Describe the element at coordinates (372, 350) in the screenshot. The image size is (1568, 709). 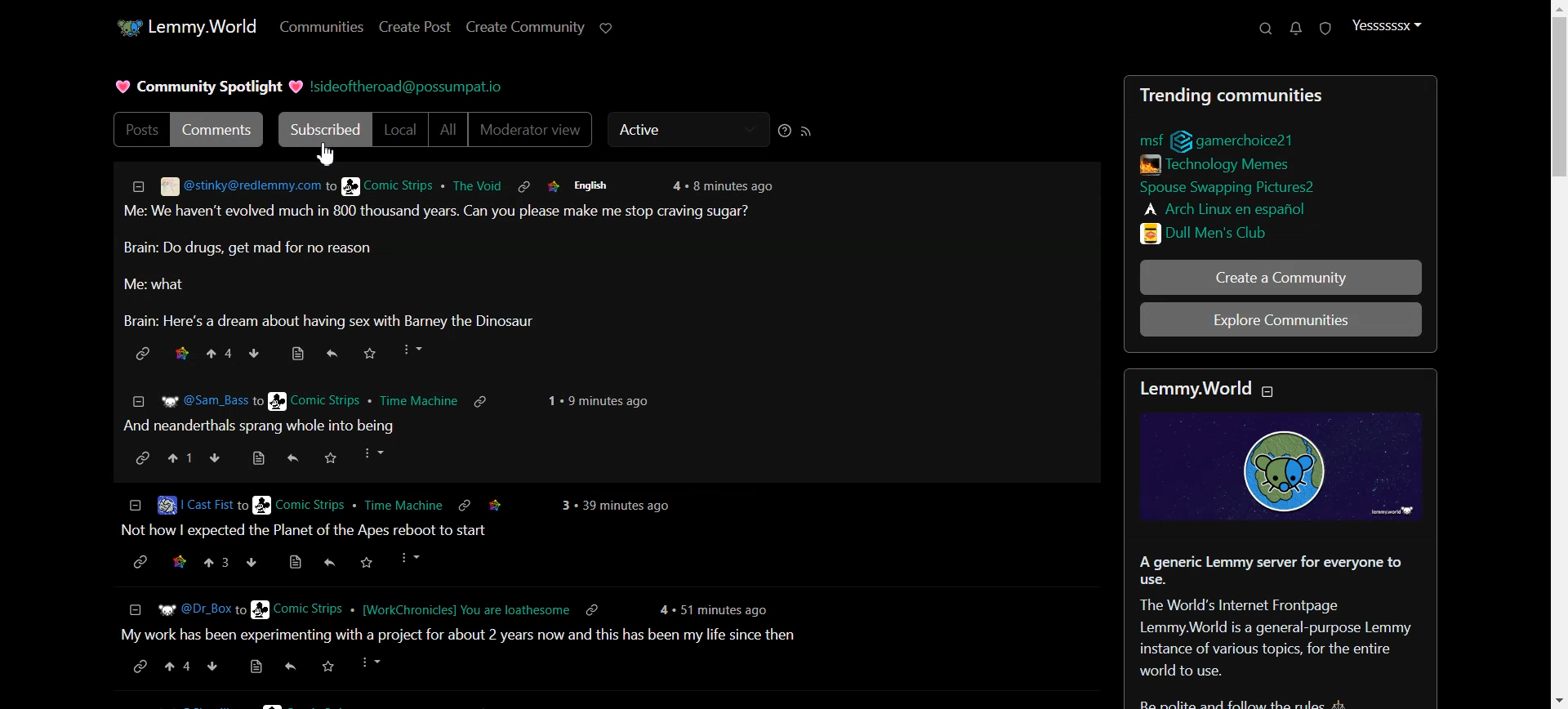
I see `save` at that location.